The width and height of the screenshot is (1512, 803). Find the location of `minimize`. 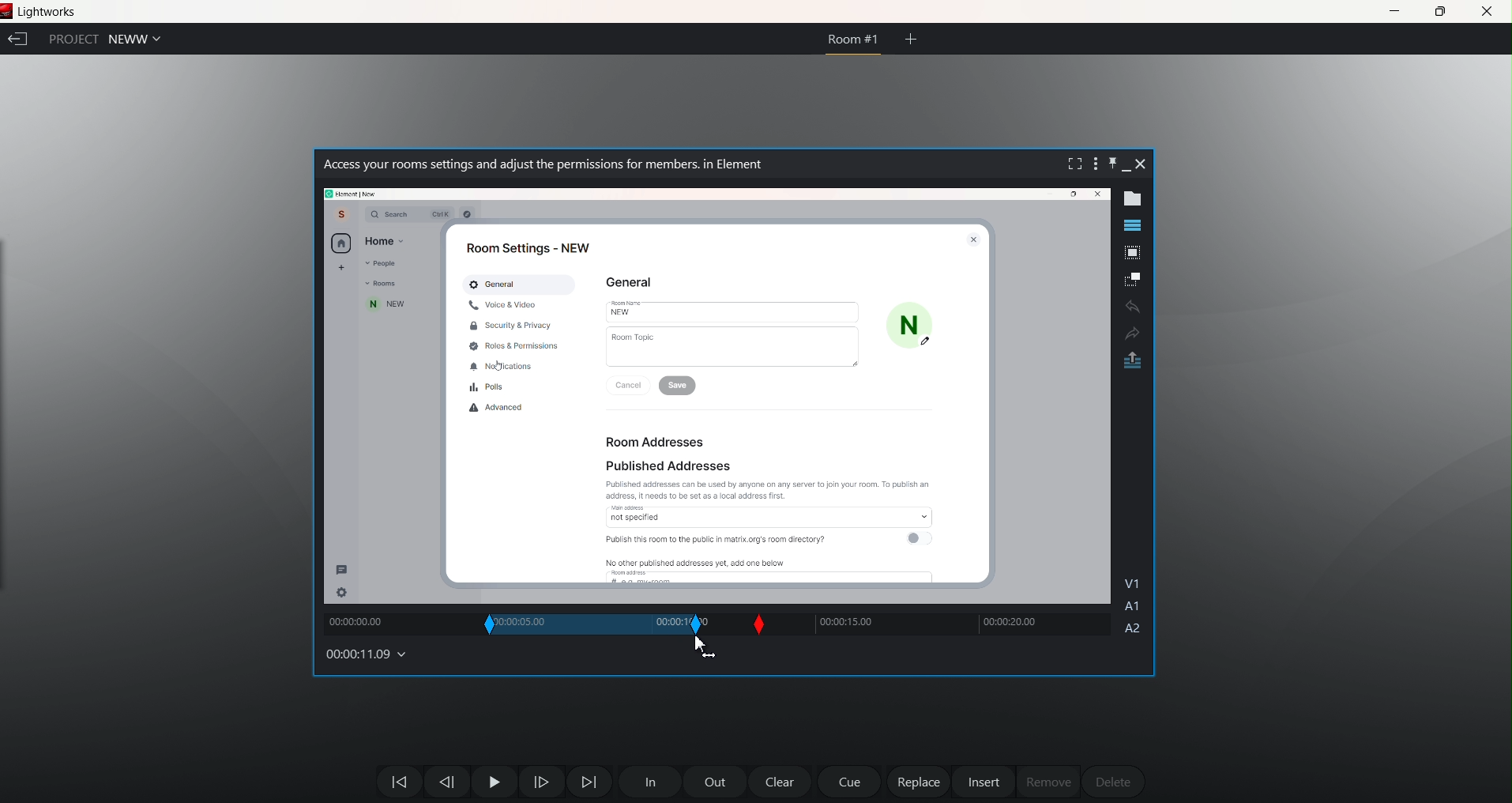

minimize is located at coordinates (1395, 10).